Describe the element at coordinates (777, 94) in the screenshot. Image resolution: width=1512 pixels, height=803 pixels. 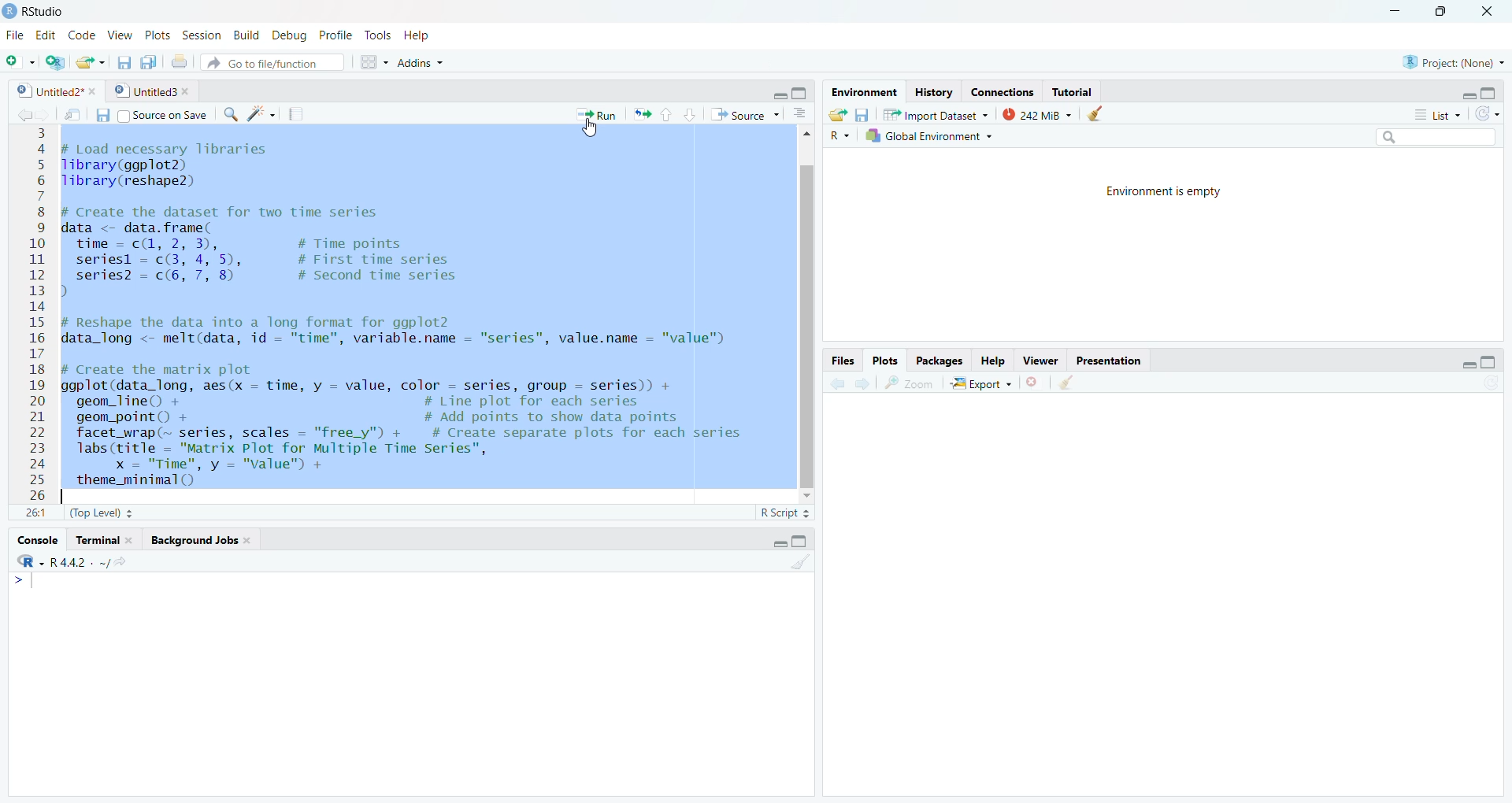
I see `minimize` at that location.